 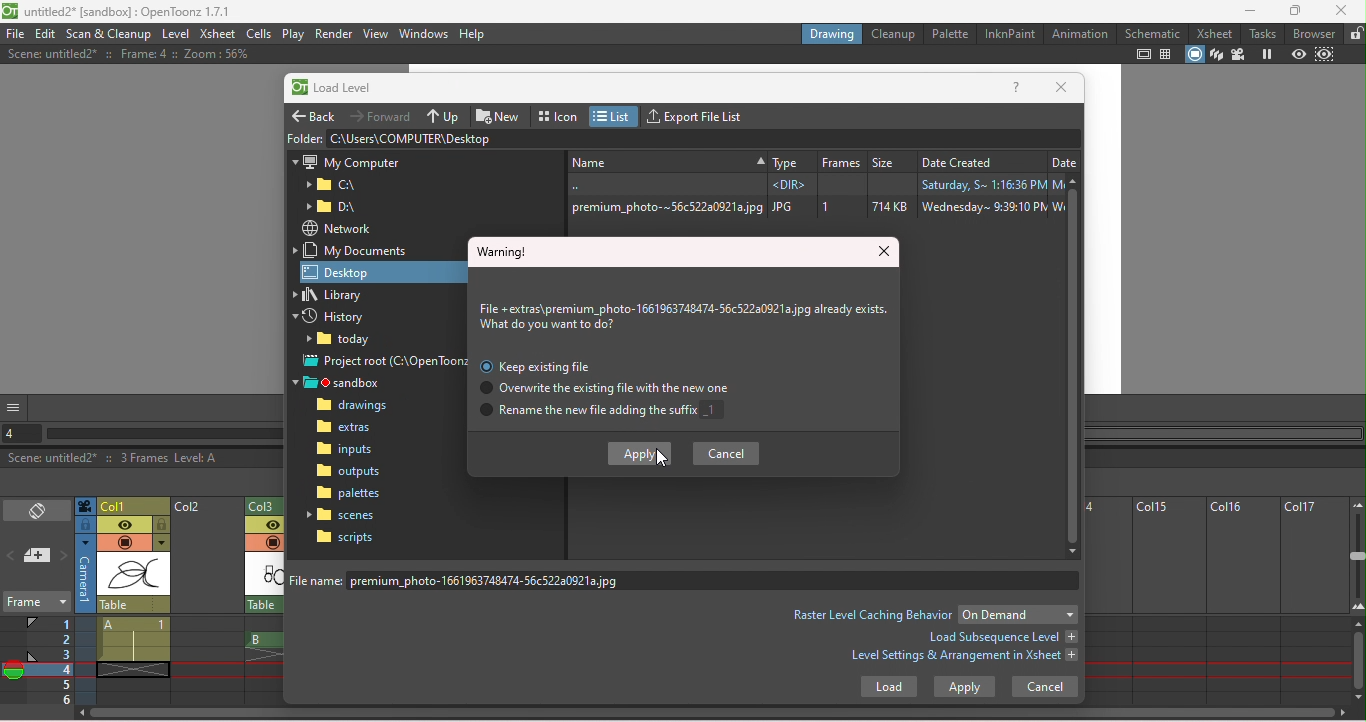 What do you see at coordinates (64, 557) in the screenshot?
I see `Next memo` at bounding box center [64, 557].